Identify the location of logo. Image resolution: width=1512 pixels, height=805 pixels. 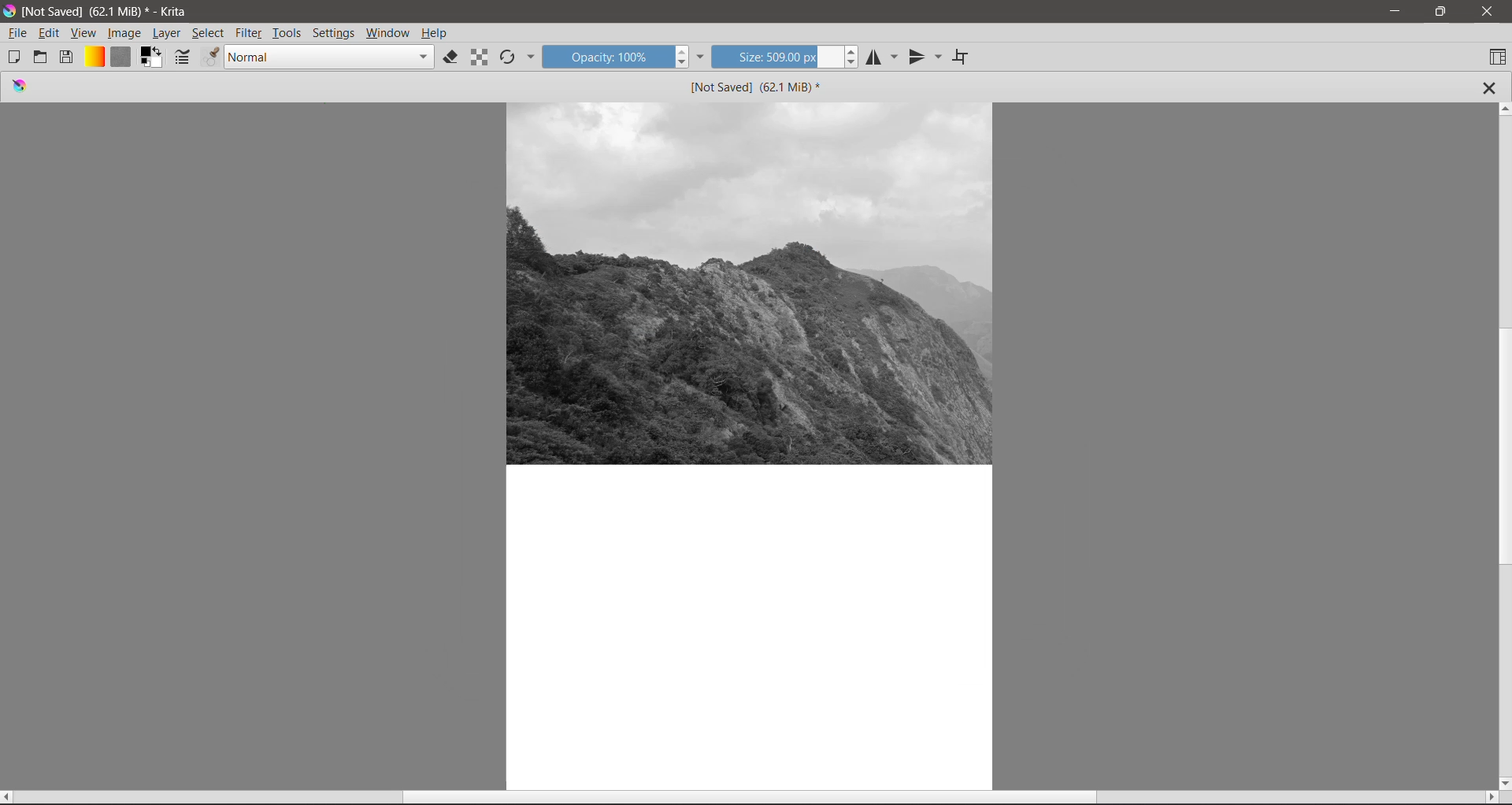
(20, 88).